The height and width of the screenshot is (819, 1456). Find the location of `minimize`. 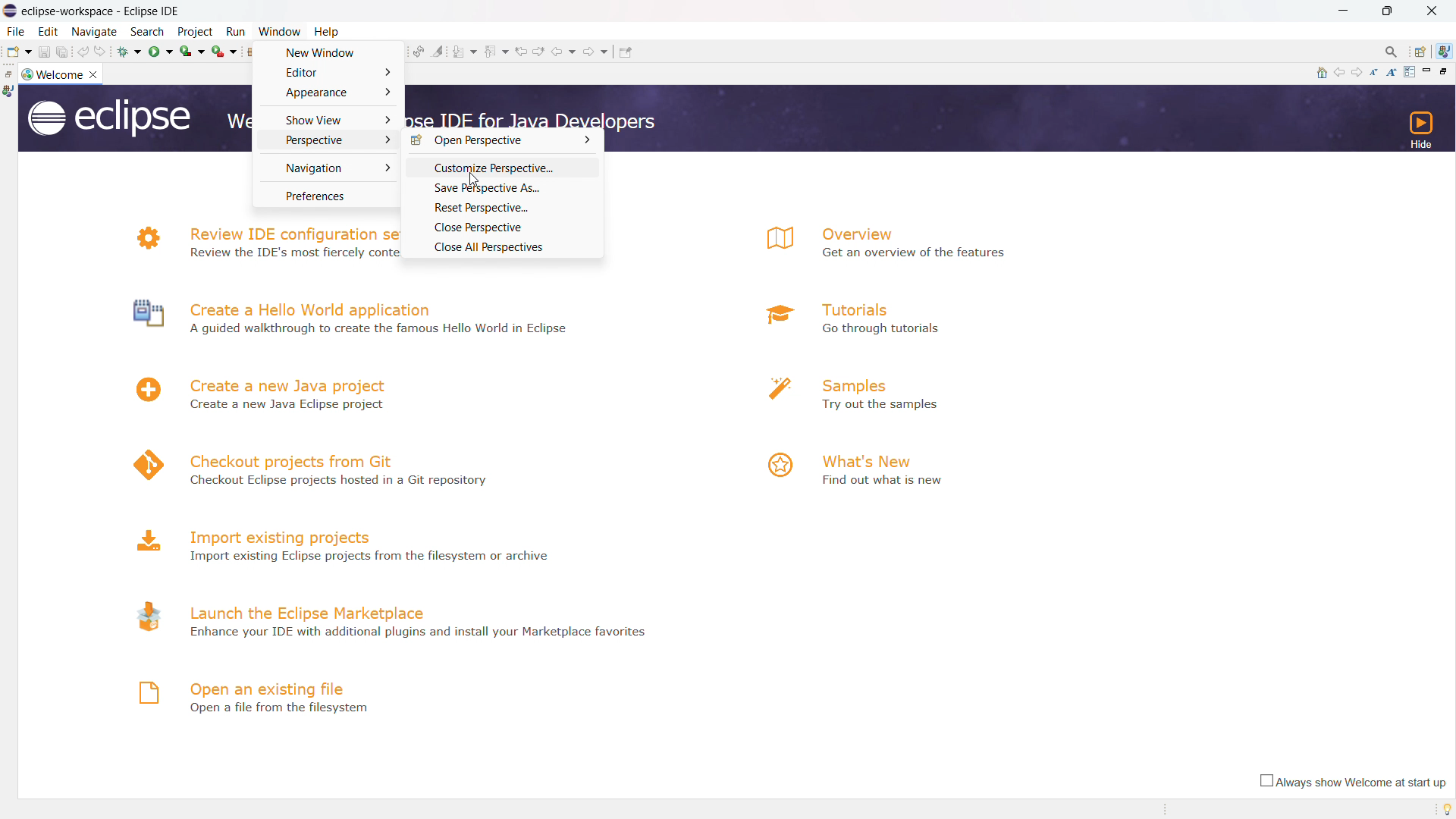

minimize is located at coordinates (1341, 11).